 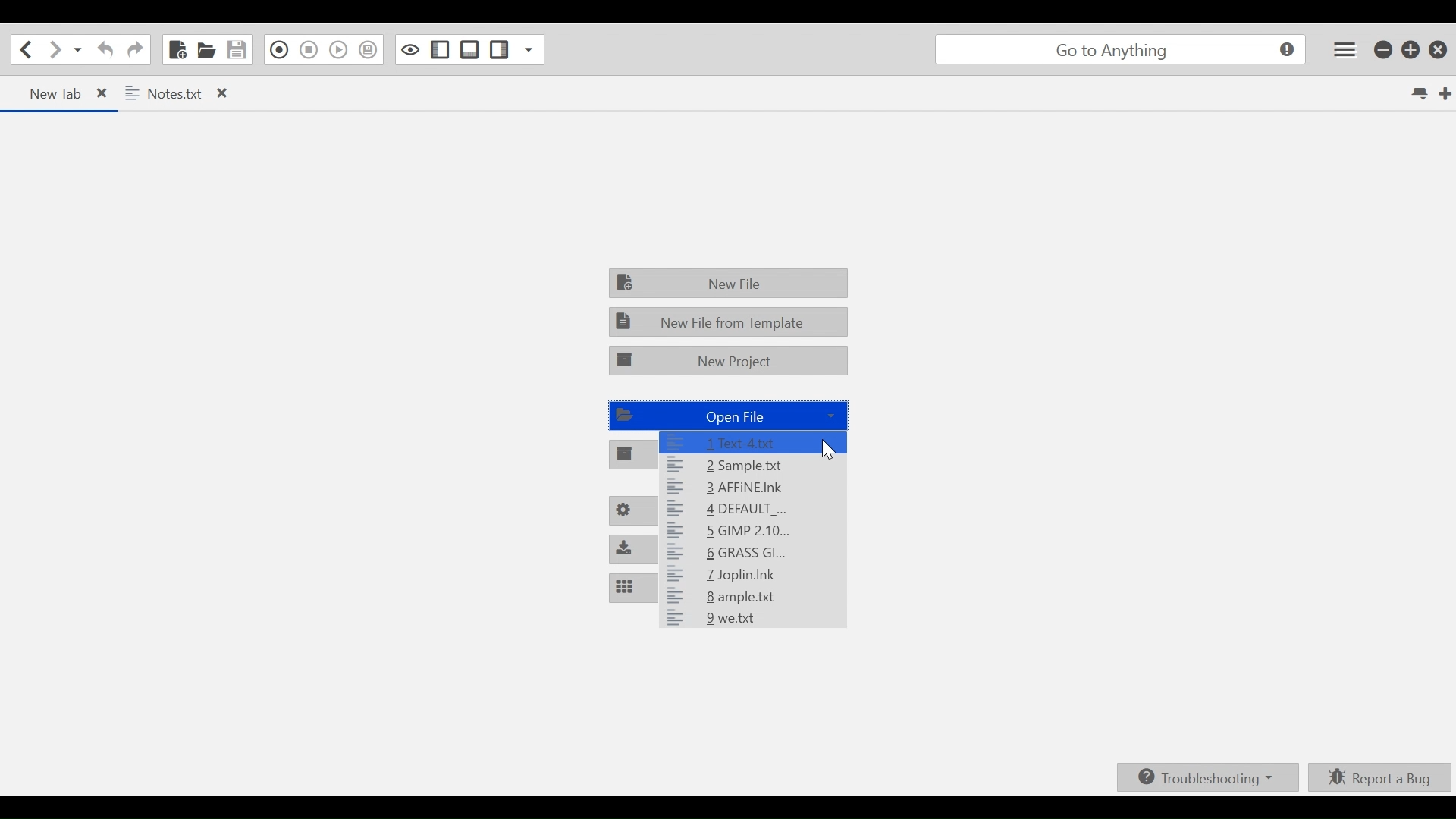 I want to click on 9 we.txt, so click(x=749, y=620).